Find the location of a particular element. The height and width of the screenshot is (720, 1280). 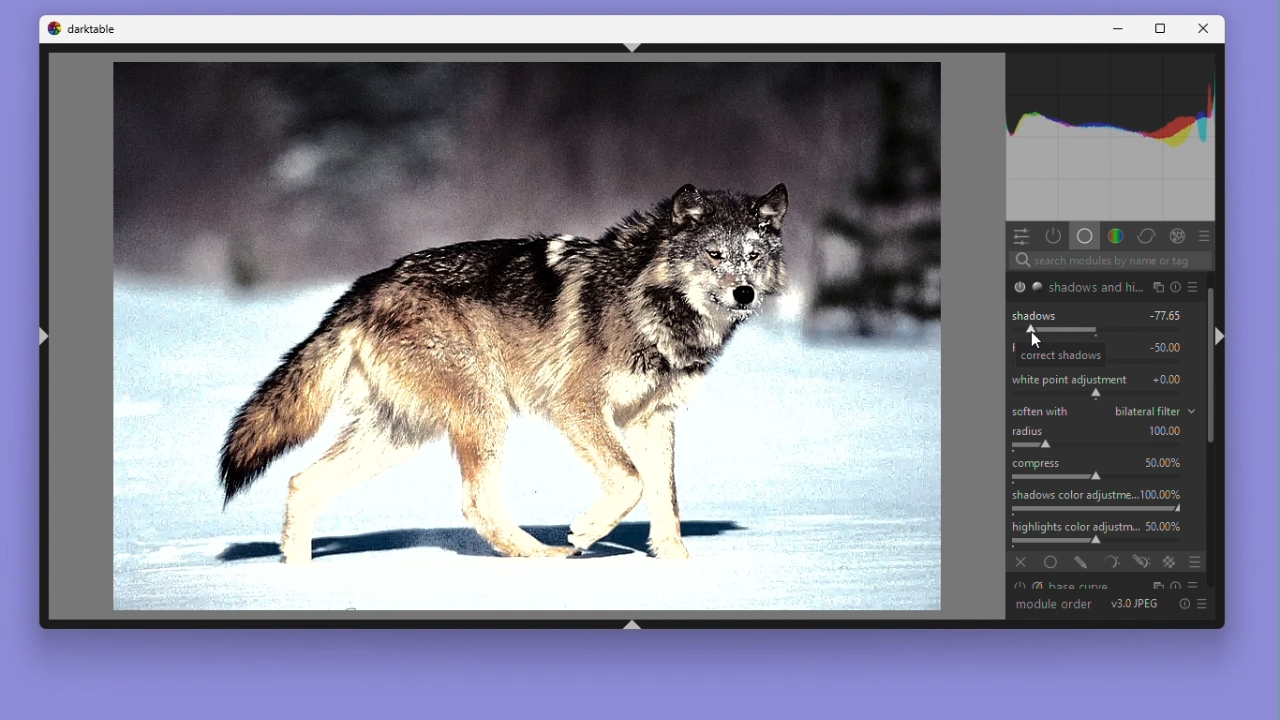

Soften with bilateral filter is located at coordinates (1037, 413).